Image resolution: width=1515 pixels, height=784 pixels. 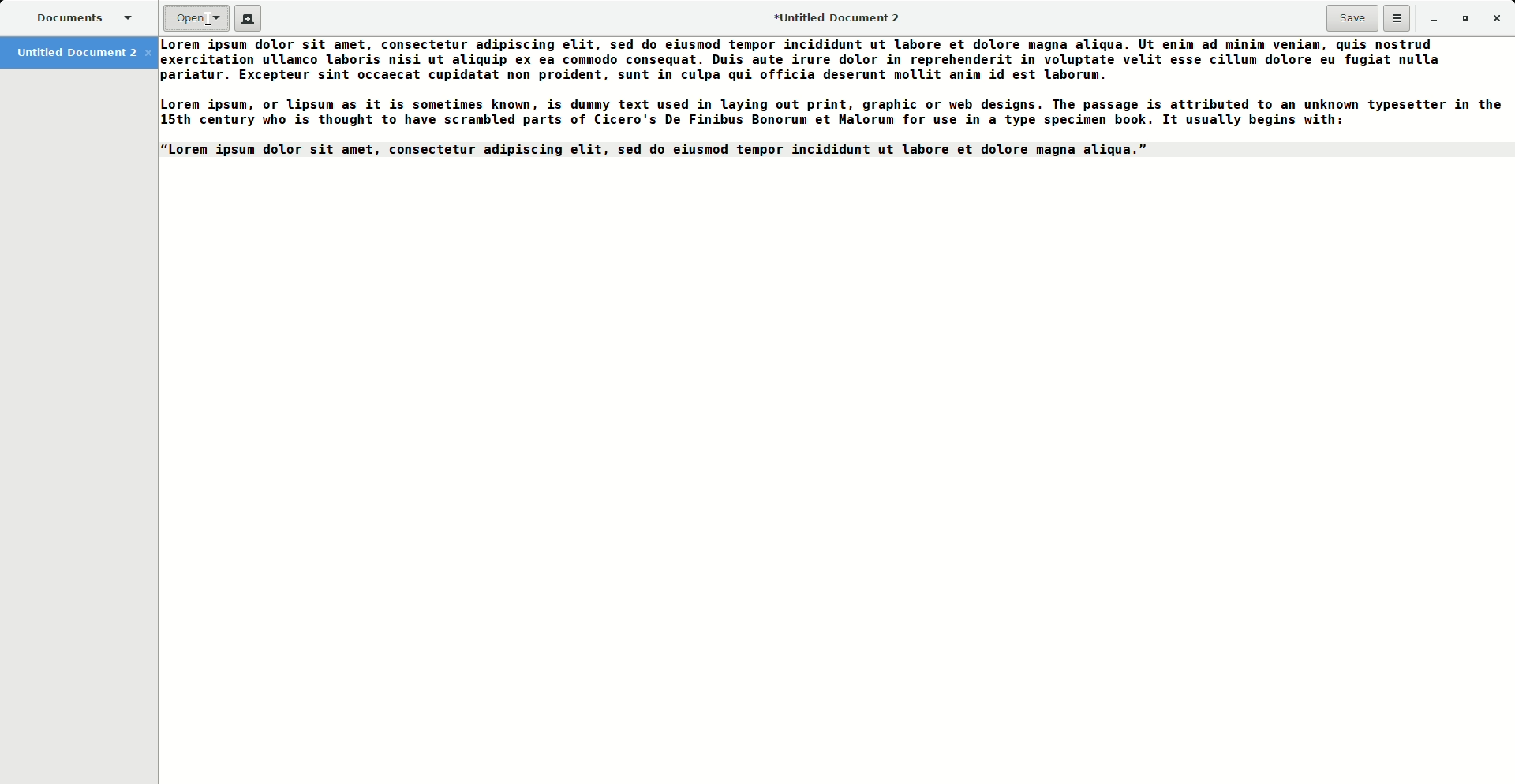 What do you see at coordinates (196, 19) in the screenshot?
I see `Open` at bounding box center [196, 19].